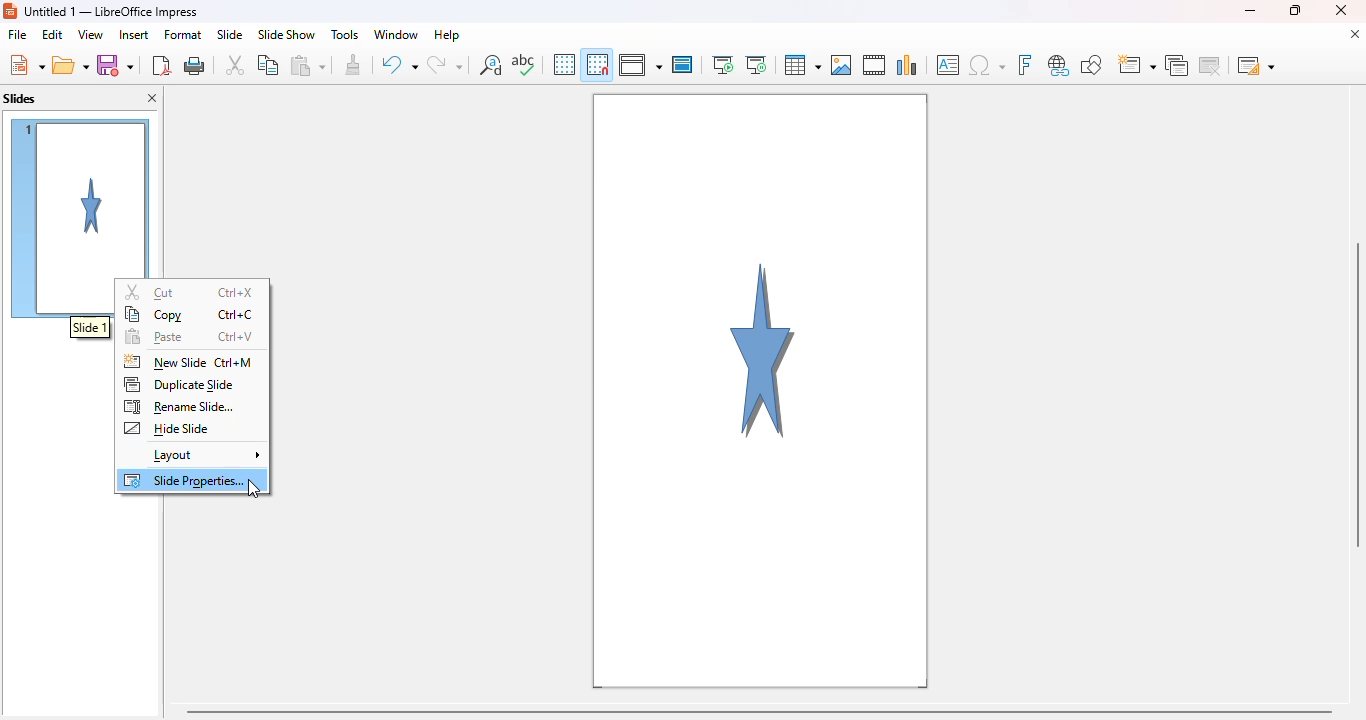 This screenshot has height=720, width=1366. Describe the element at coordinates (114, 64) in the screenshot. I see `save` at that location.